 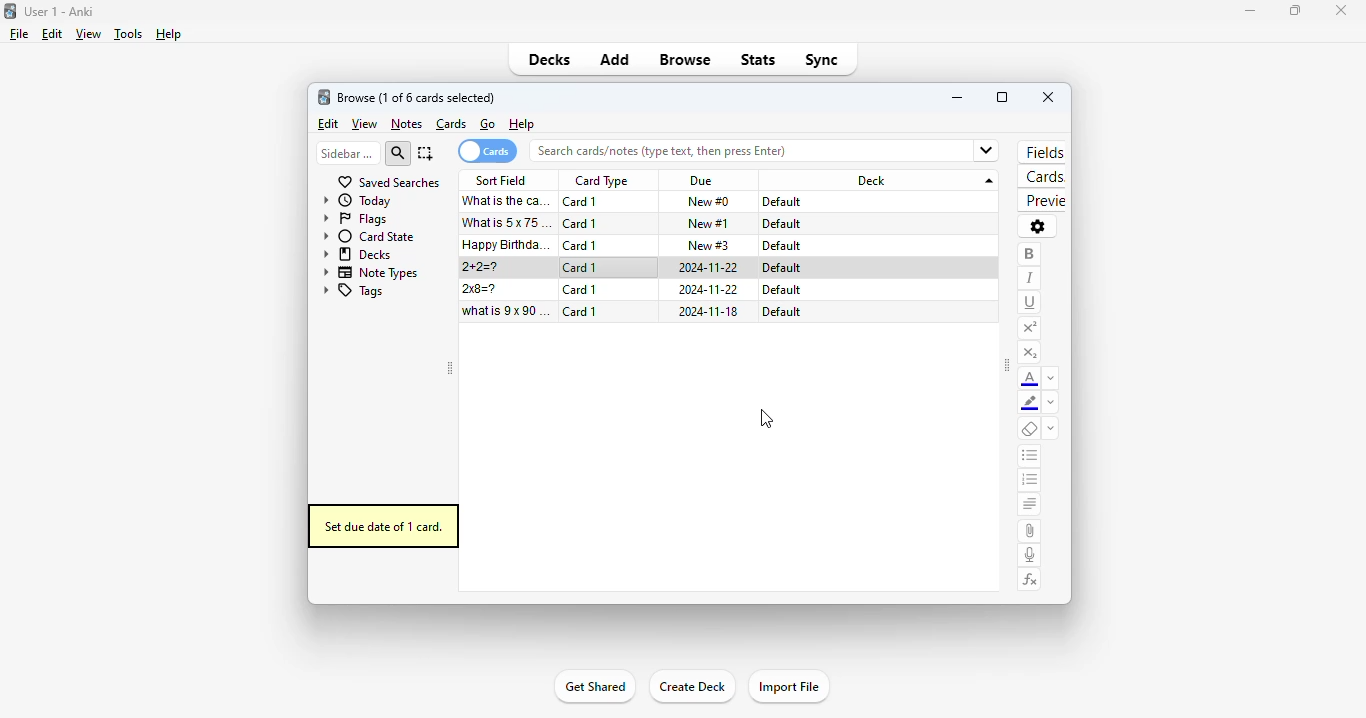 I want to click on help, so click(x=521, y=125).